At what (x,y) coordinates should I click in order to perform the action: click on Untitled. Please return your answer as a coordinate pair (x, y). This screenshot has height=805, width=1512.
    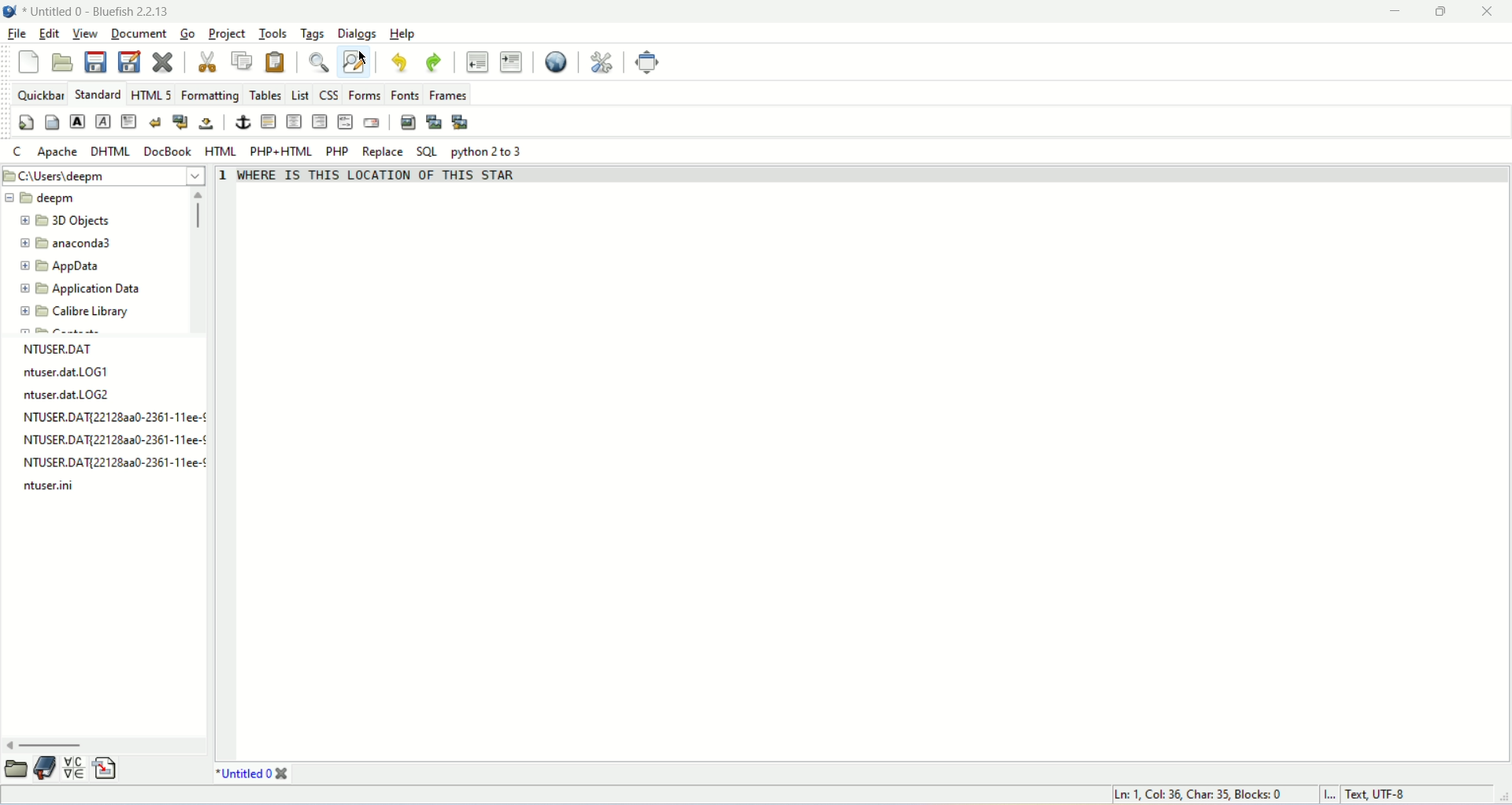
    Looking at the image, I should click on (243, 773).